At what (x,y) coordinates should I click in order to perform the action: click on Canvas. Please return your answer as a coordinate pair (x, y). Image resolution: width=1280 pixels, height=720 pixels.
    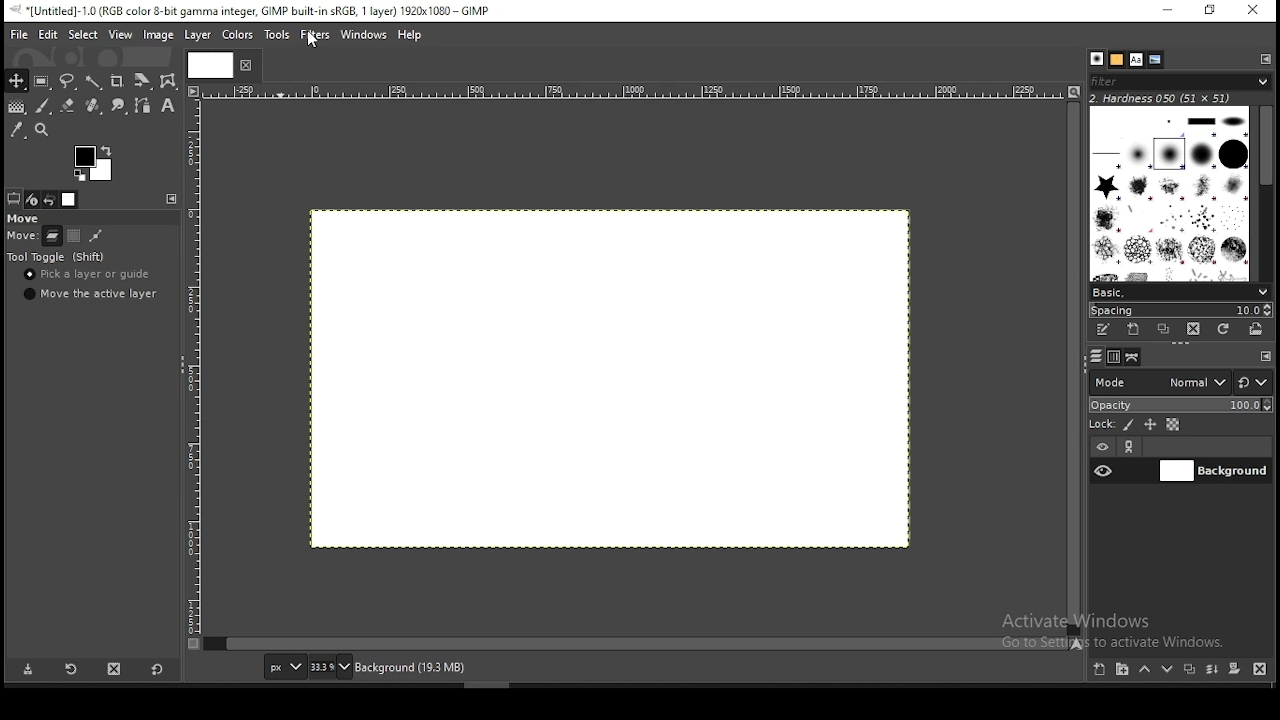
    Looking at the image, I should click on (607, 377).